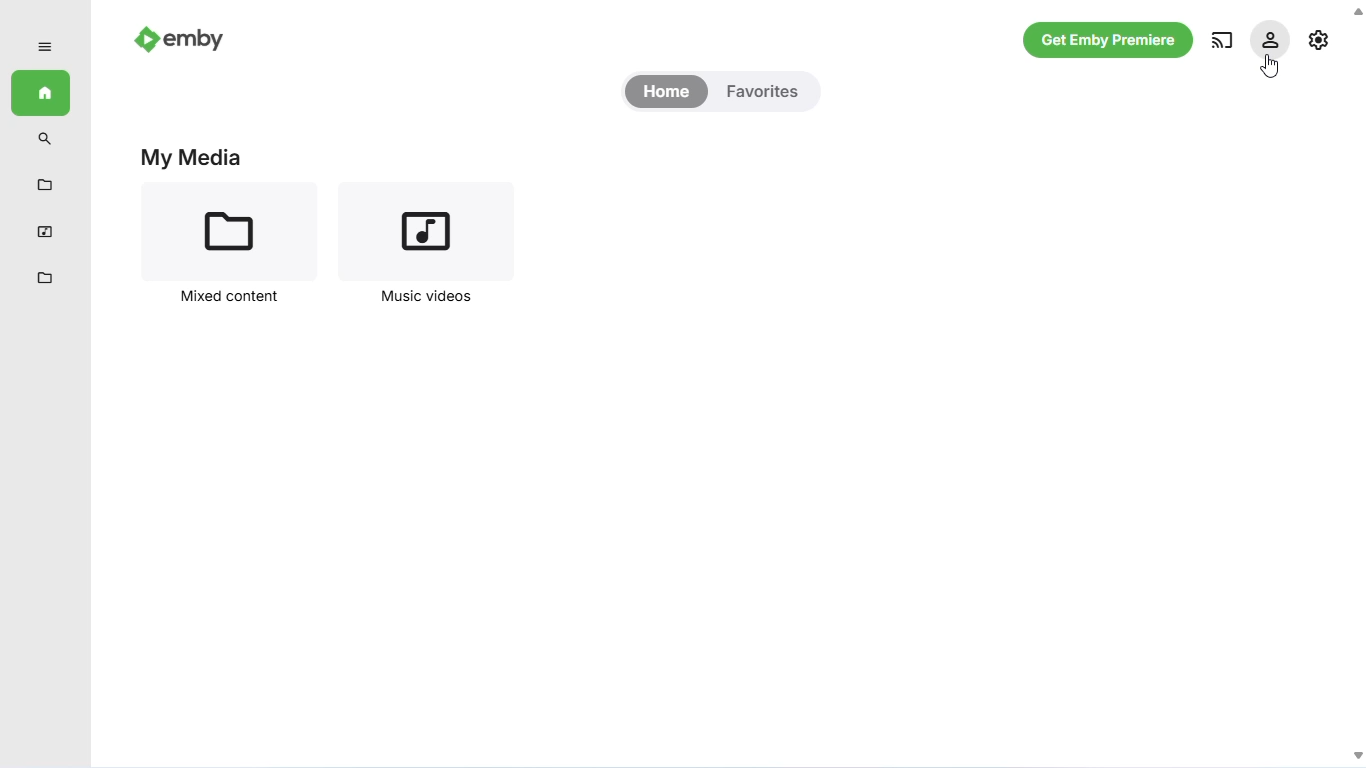 This screenshot has width=1366, height=768. I want to click on scrollbar, so click(1355, 383).